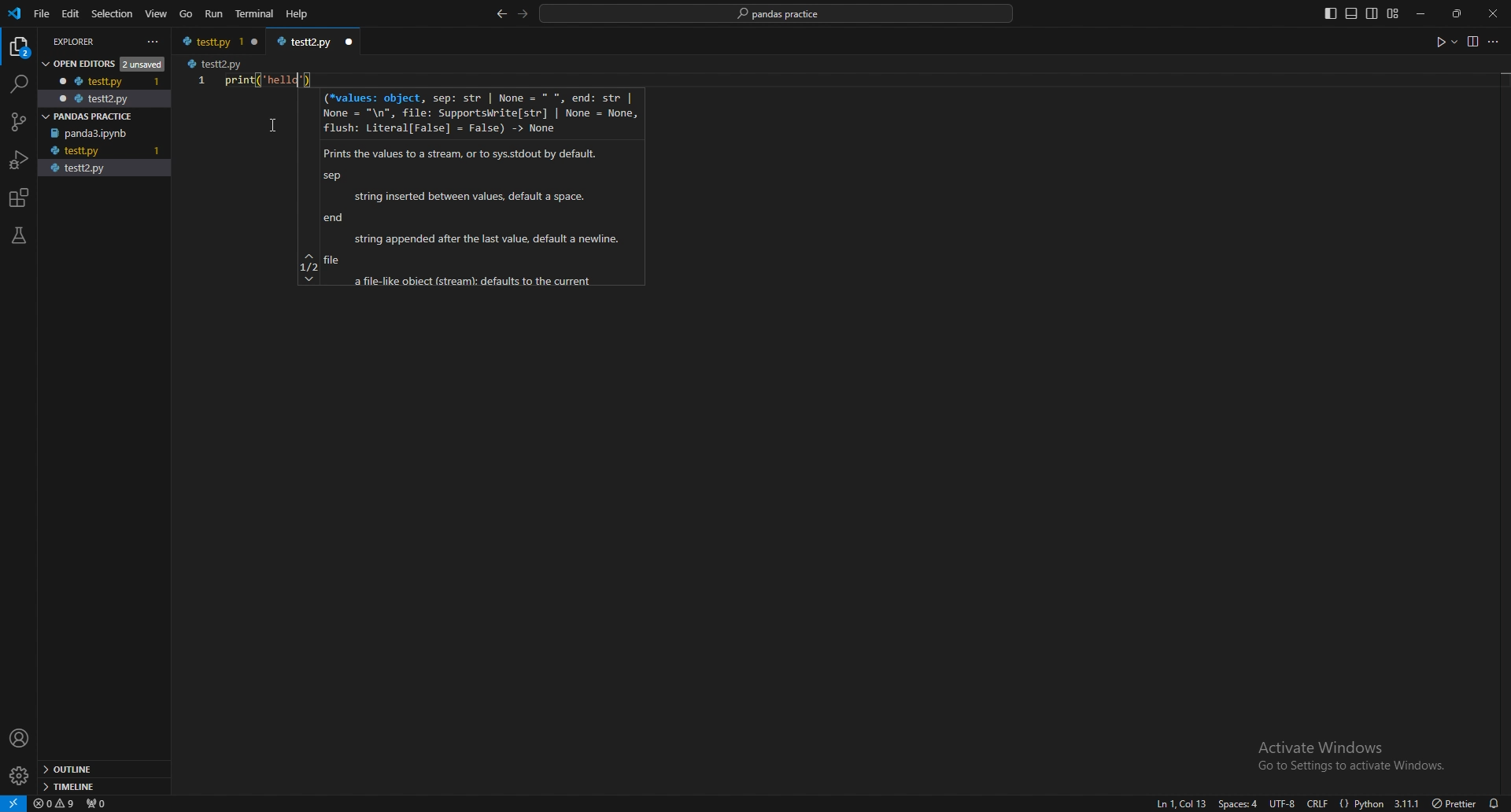  What do you see at coordinates (201, 94) in the screenshot?
I see `scale` at bounding box center [201, 94].